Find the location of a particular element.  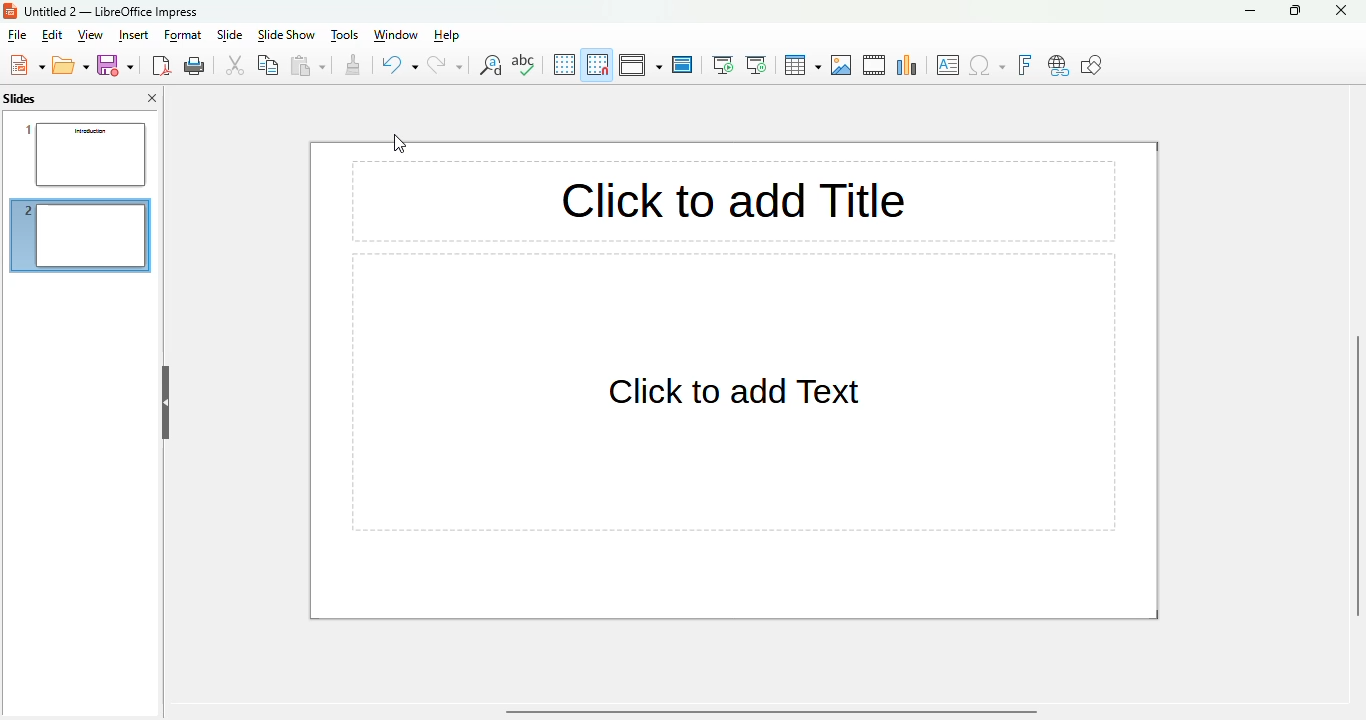

table is located at coordinates (802, 65).